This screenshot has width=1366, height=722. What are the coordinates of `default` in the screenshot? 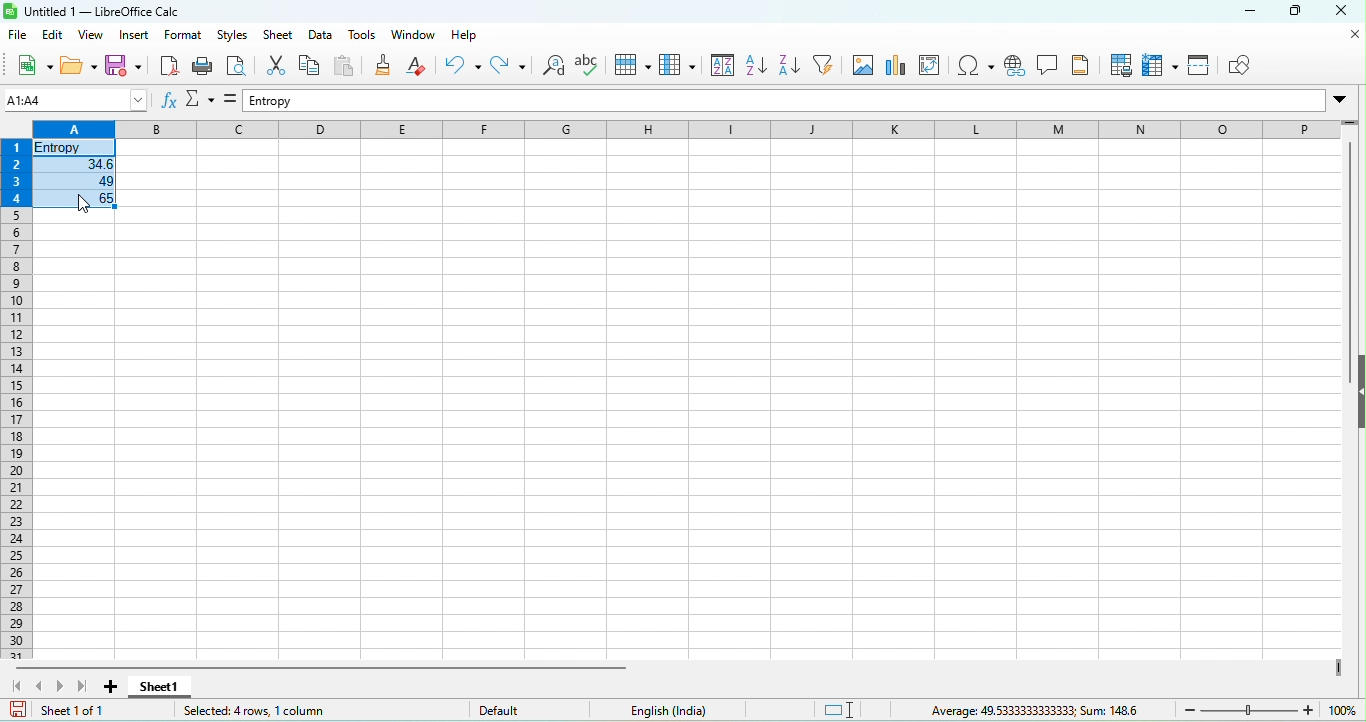 It's located at (534, 710).